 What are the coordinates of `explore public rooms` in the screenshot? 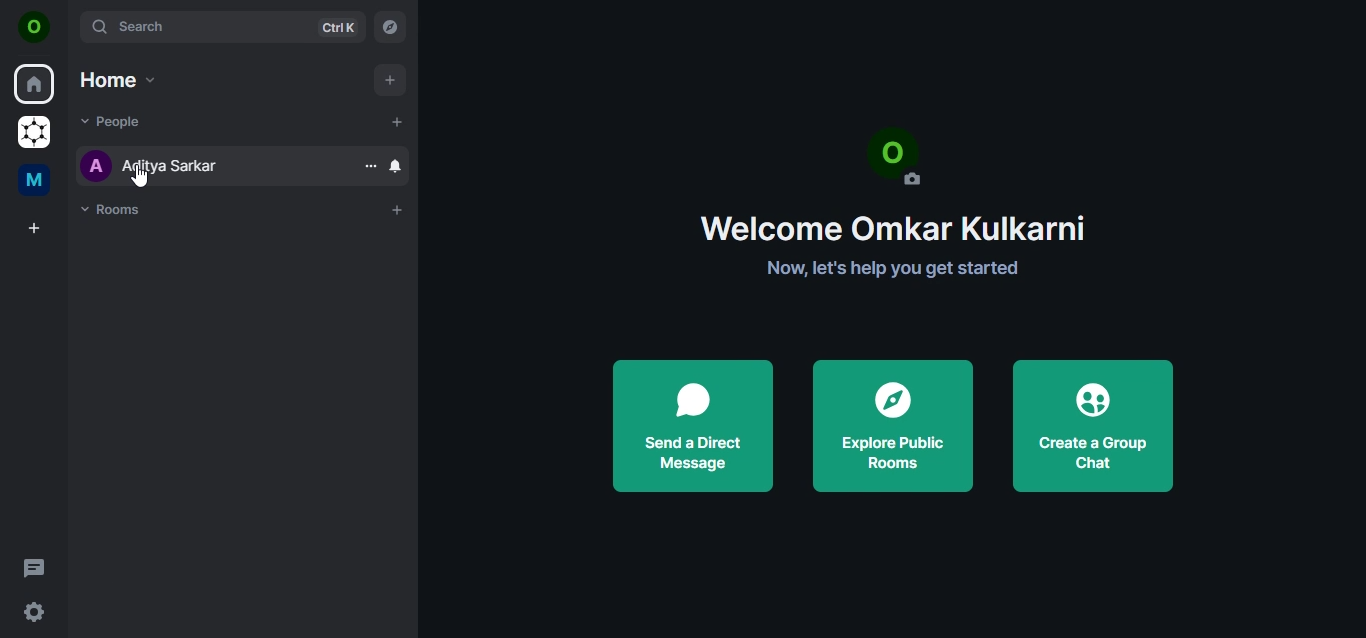 It's located at (890, 422).